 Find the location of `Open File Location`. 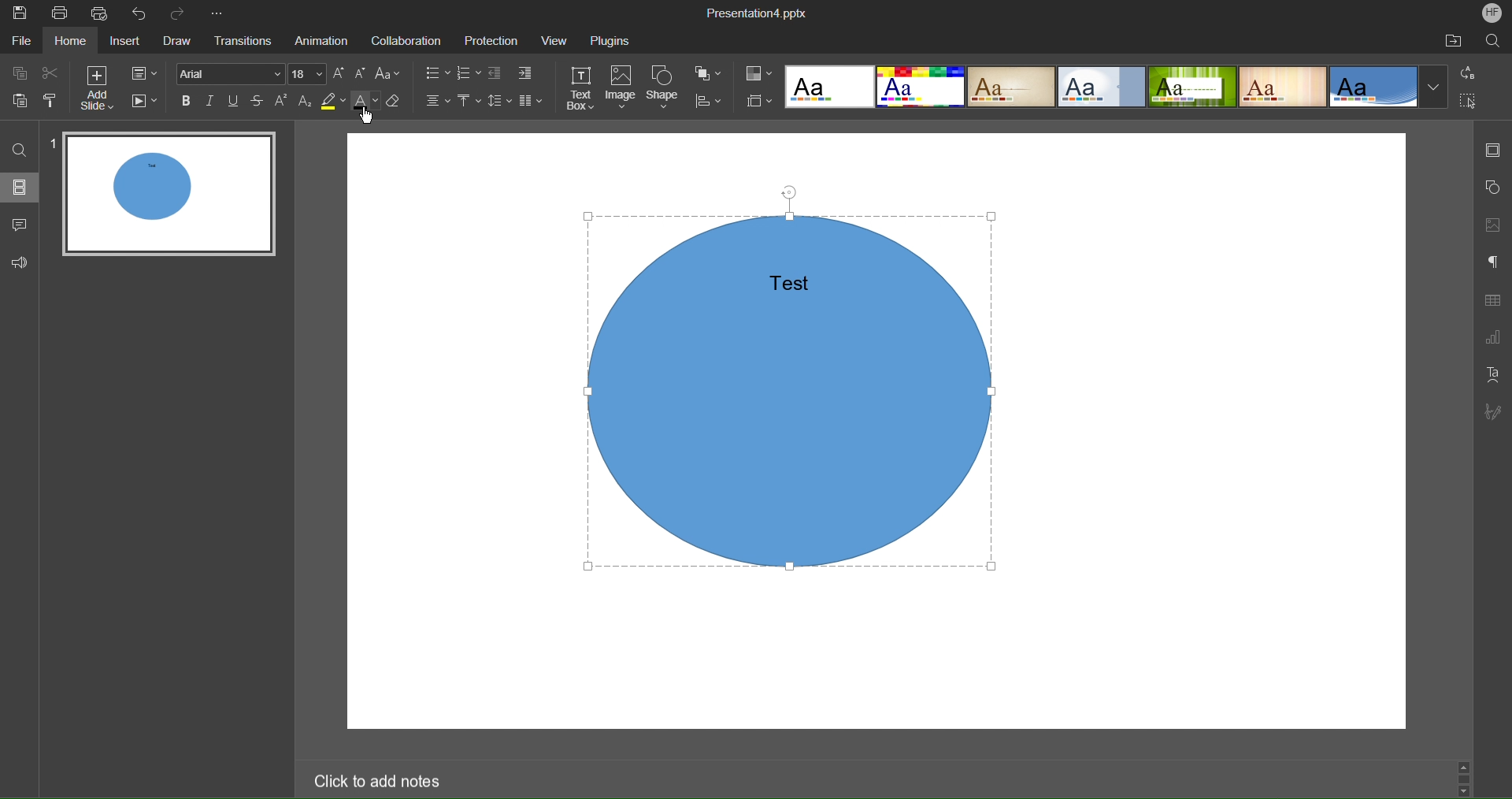

Open File Location is located at coordinates (1450, 42).